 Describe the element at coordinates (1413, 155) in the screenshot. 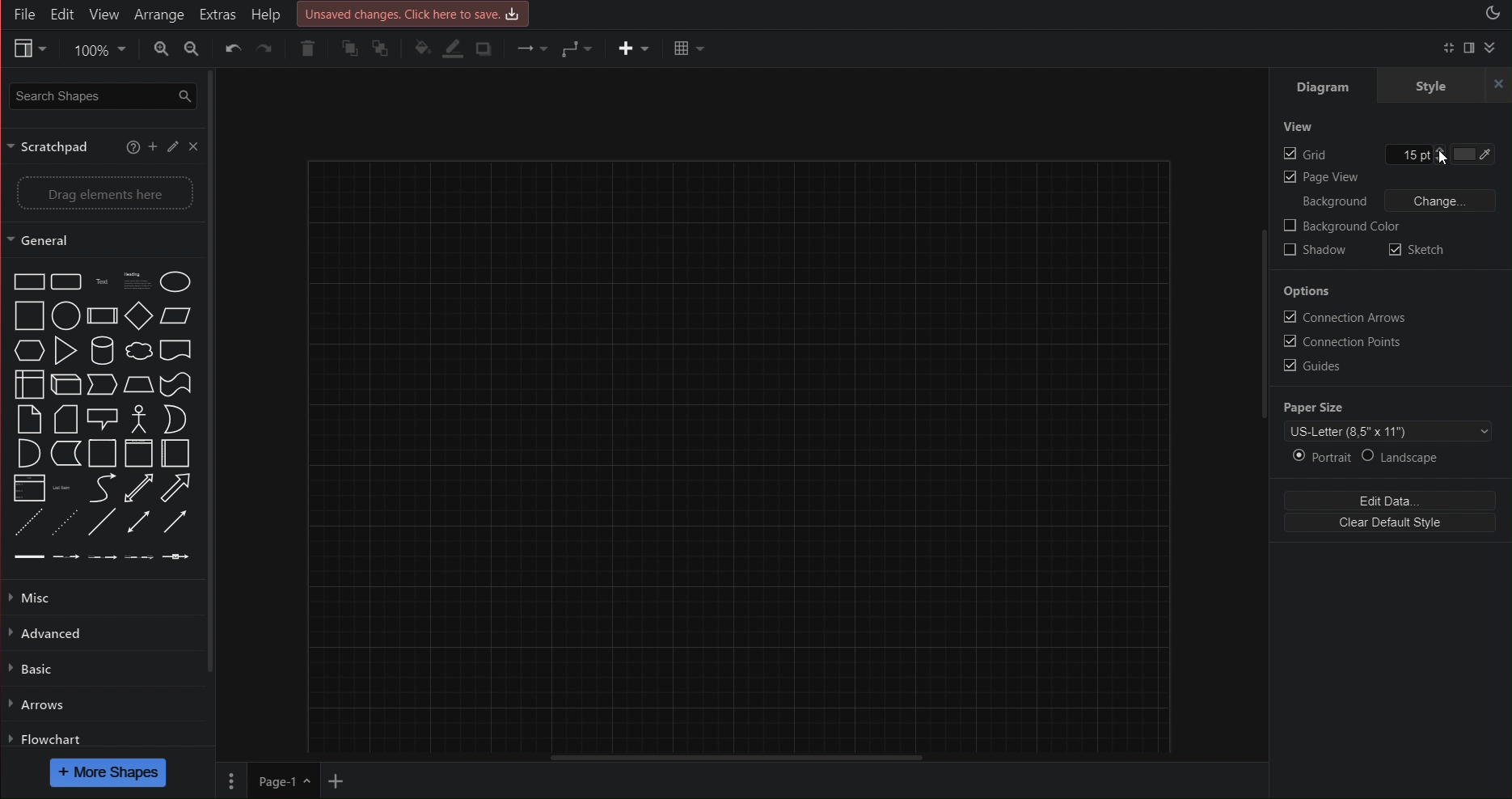

I see `15pt grid size` at that location.